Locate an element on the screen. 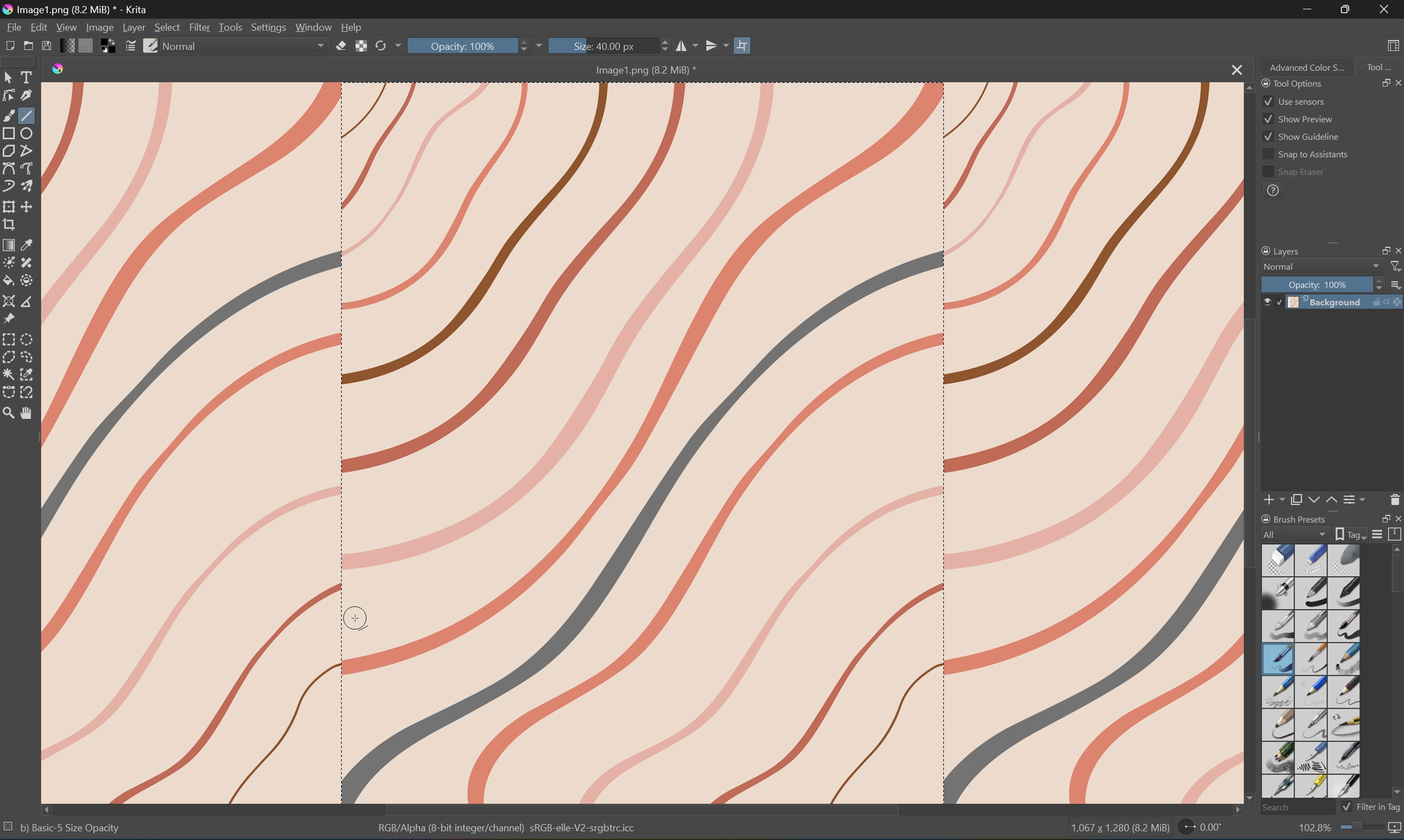  Map the displayed canvas size between pixel size or print size is located at coordinates (1396, 829).